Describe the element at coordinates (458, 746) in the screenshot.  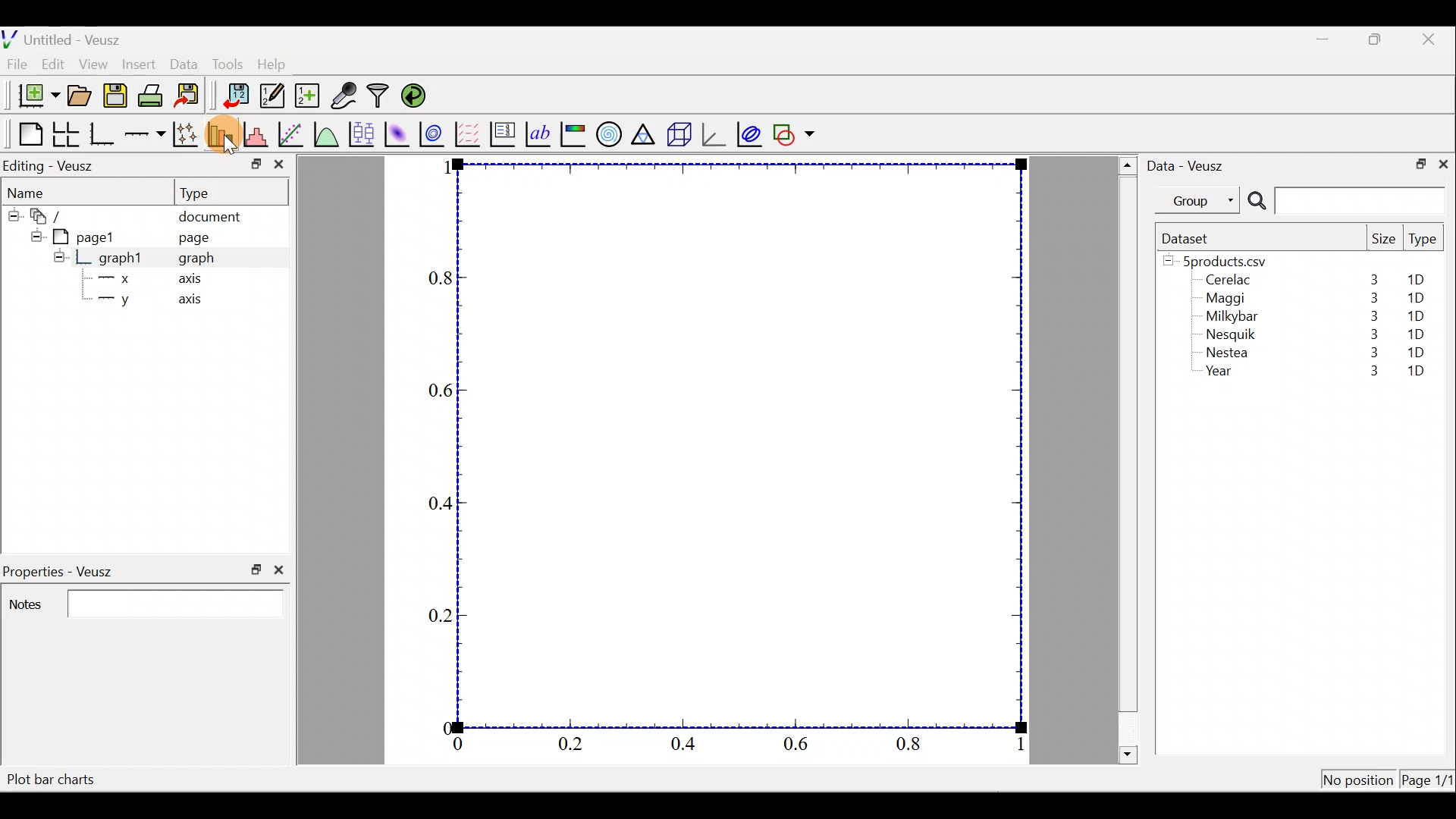
I see `0` at that location.